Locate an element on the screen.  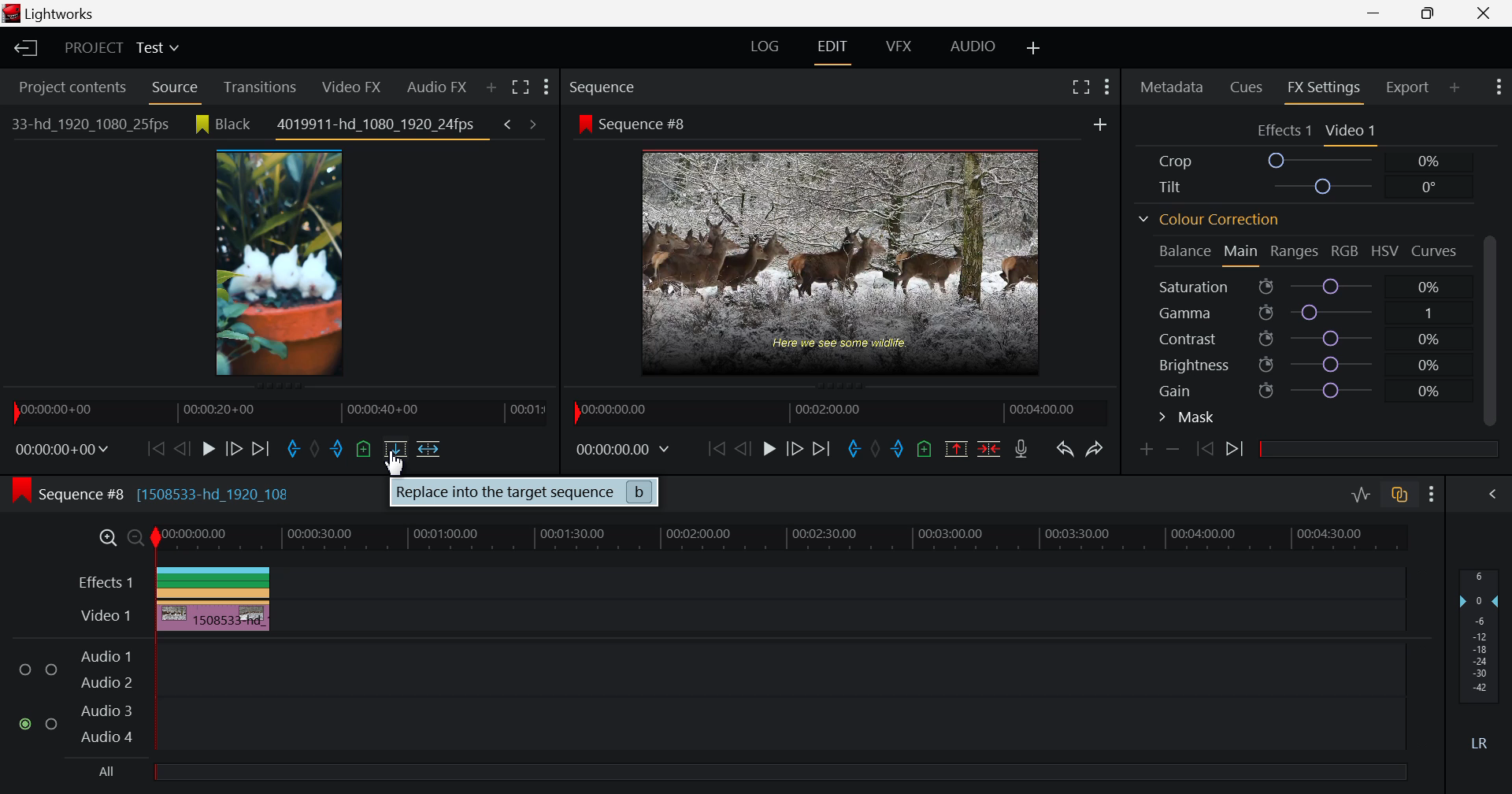
Tilt is located at coordinates (1301, 186).